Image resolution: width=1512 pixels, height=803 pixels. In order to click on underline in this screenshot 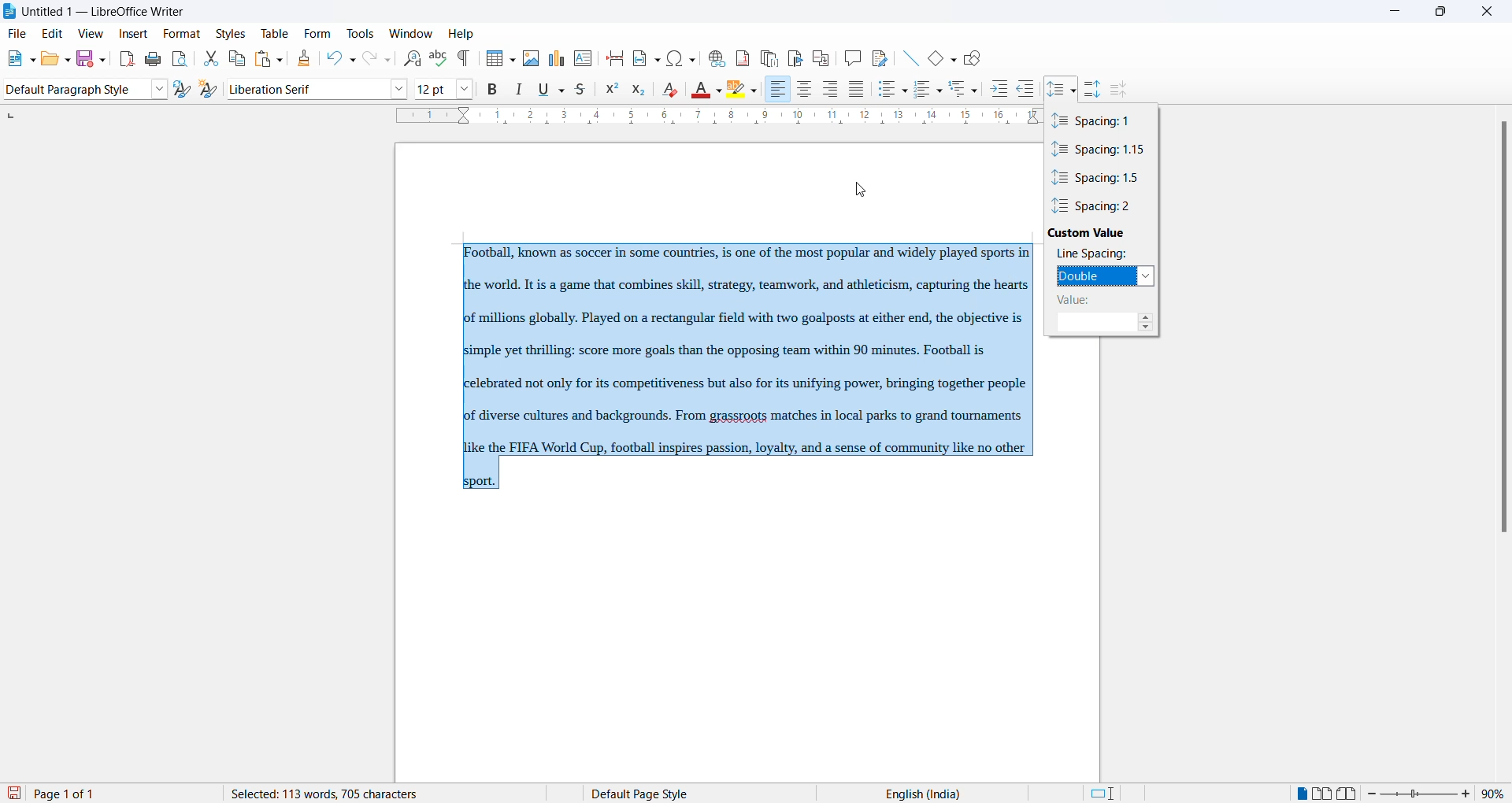, I will do `click(543, 87)`.